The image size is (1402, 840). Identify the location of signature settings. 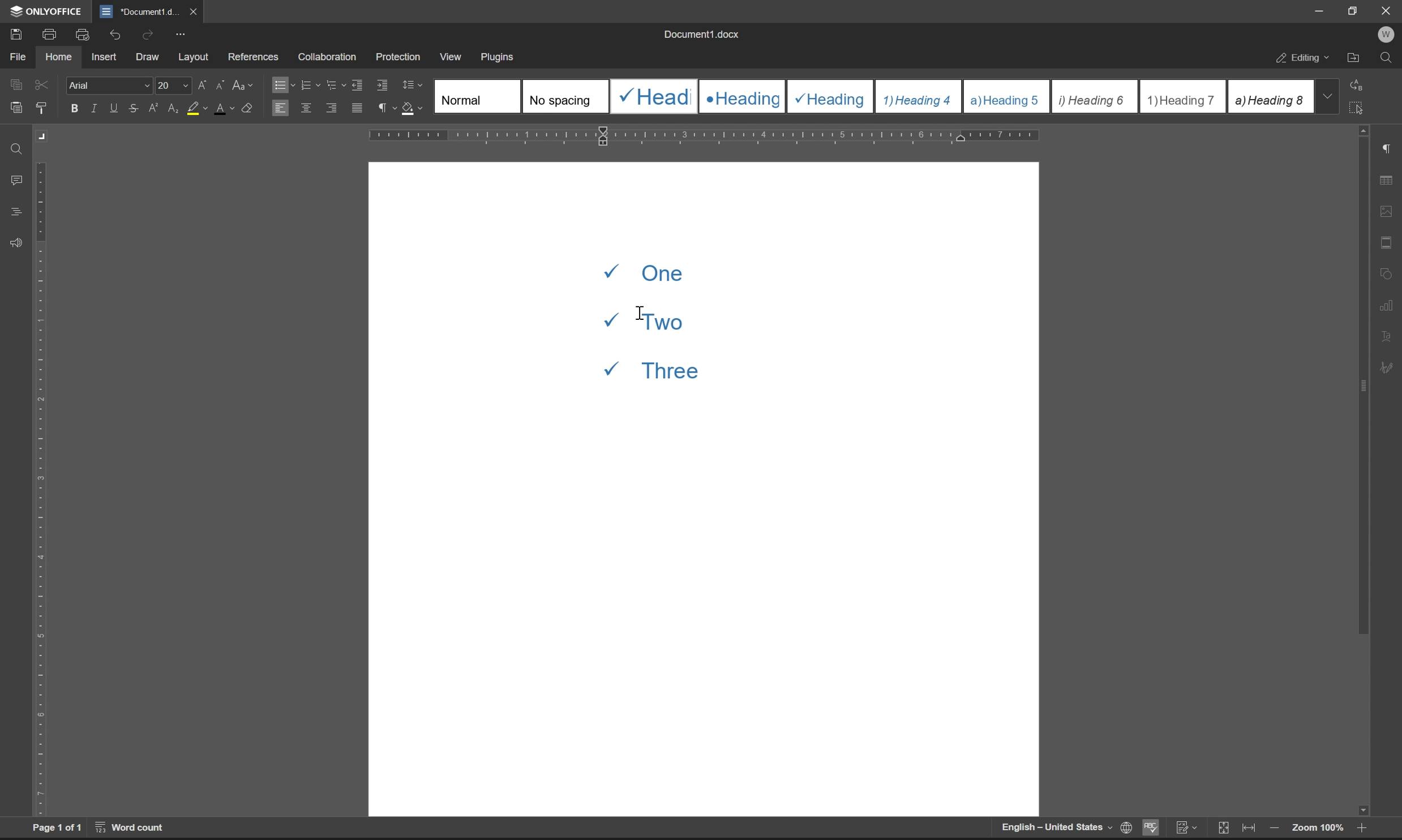
(1390, 368).